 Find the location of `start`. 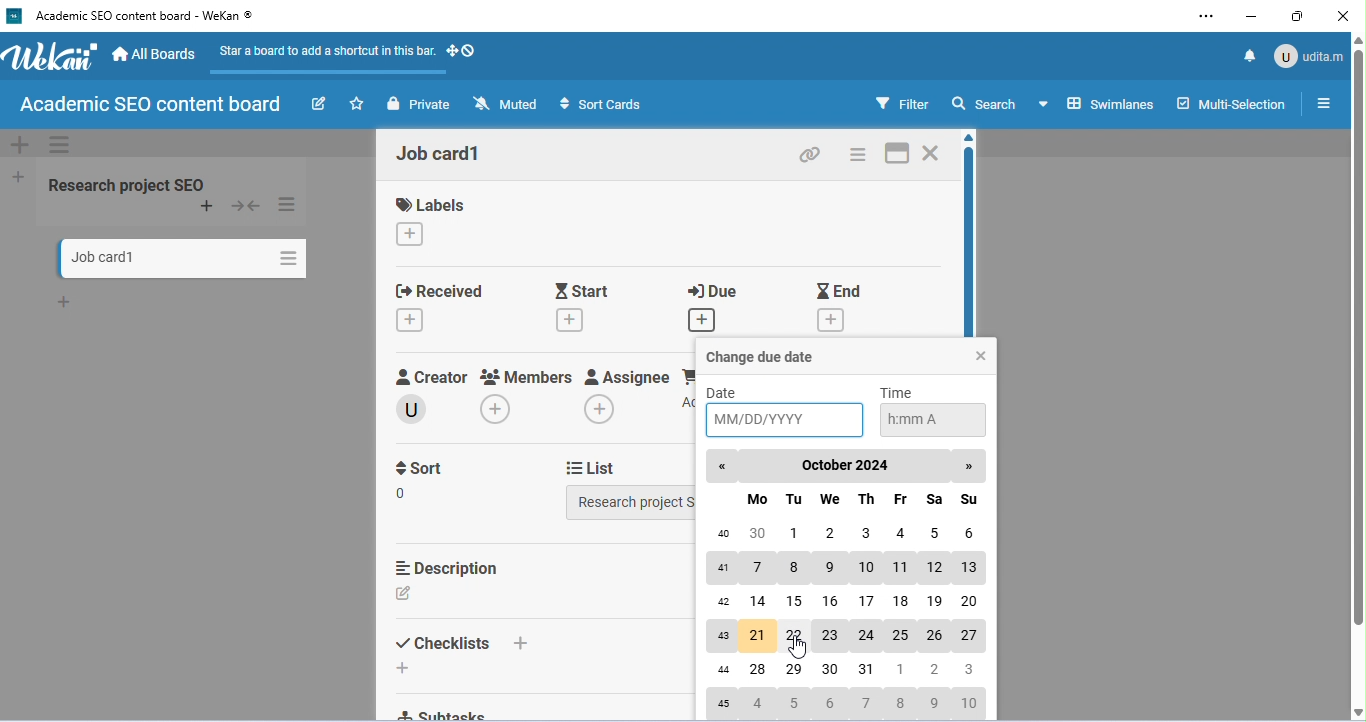

start is located at coordinates (587, 290).